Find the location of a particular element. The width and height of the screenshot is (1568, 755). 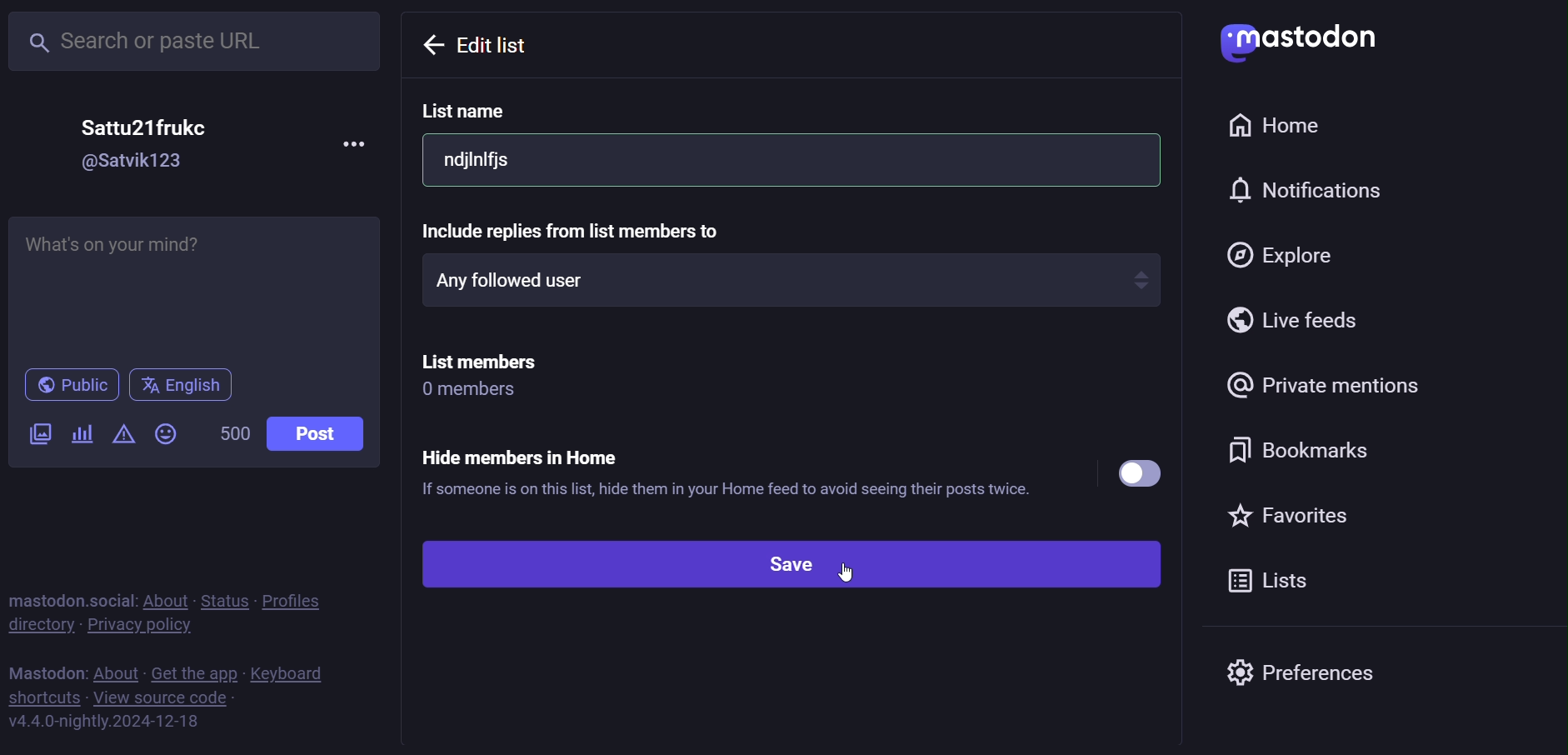

view source code is located at coordinates (164, 697).